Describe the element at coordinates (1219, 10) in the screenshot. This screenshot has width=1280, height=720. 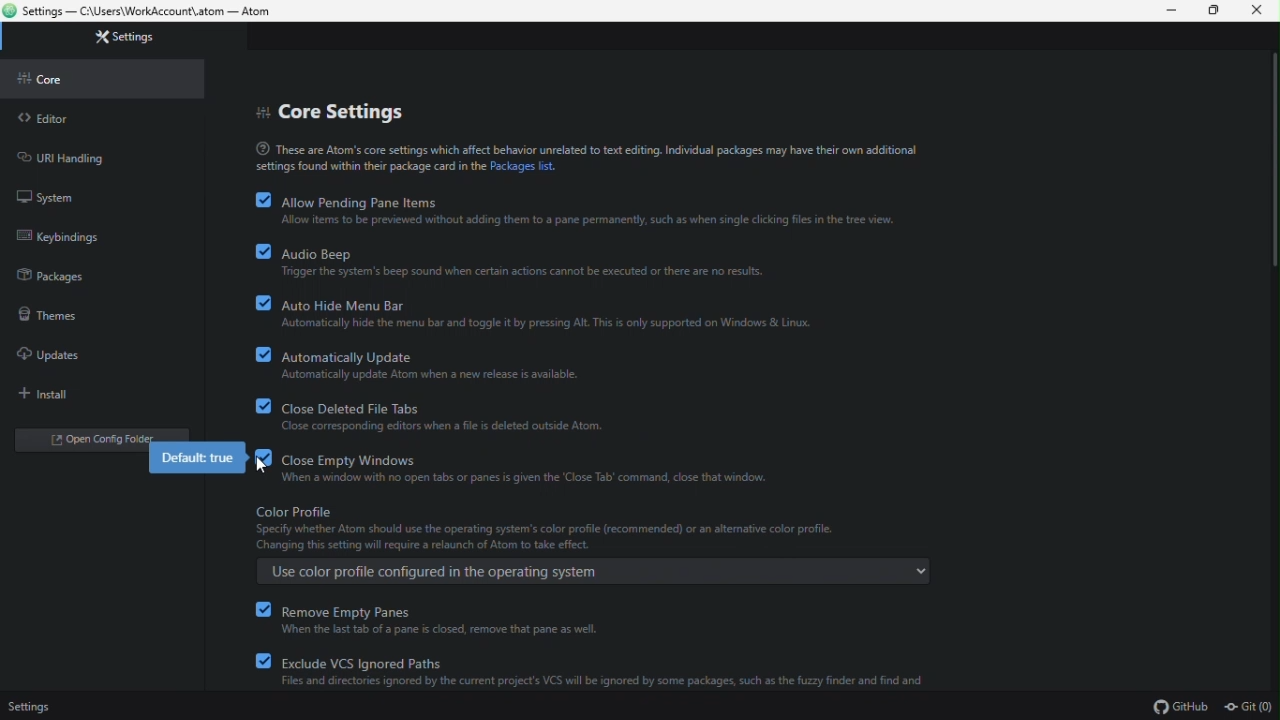
I see `restore` at that location.